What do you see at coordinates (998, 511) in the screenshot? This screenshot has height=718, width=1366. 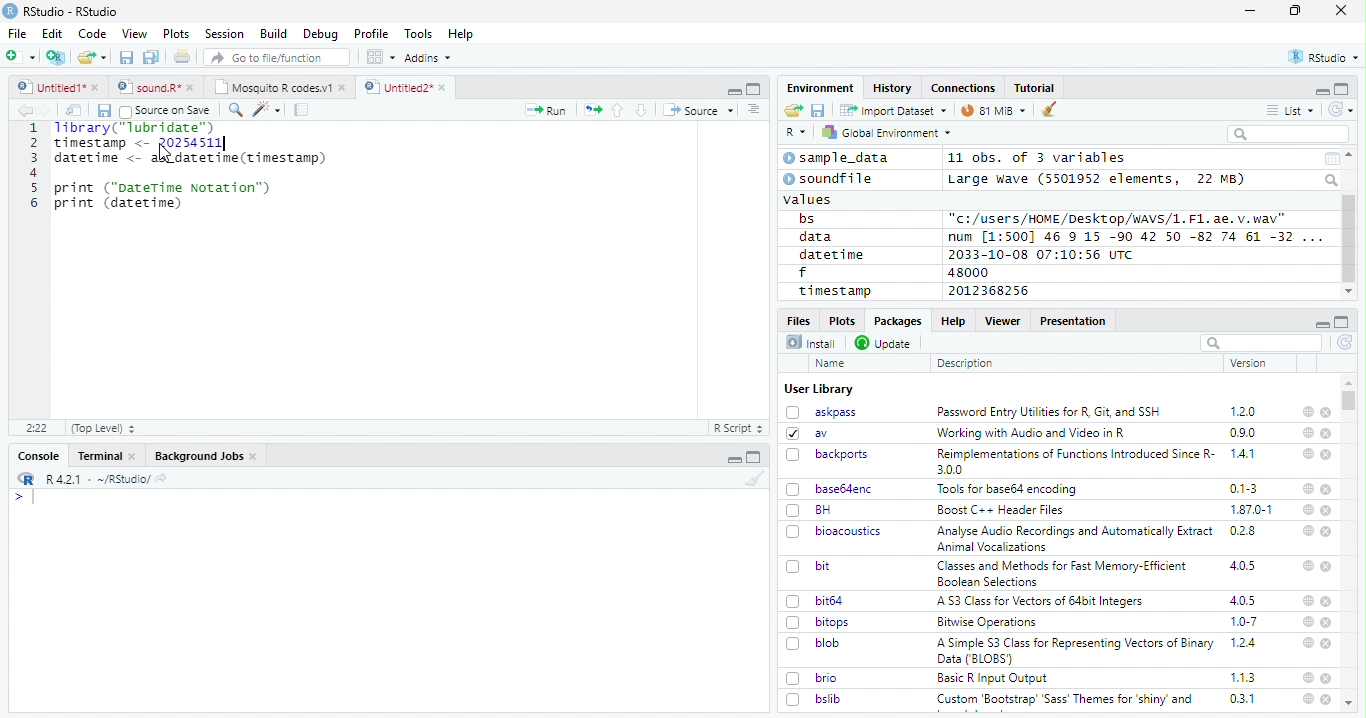 I see `Boost C++ Header Files` at bounding box center [998, 511].